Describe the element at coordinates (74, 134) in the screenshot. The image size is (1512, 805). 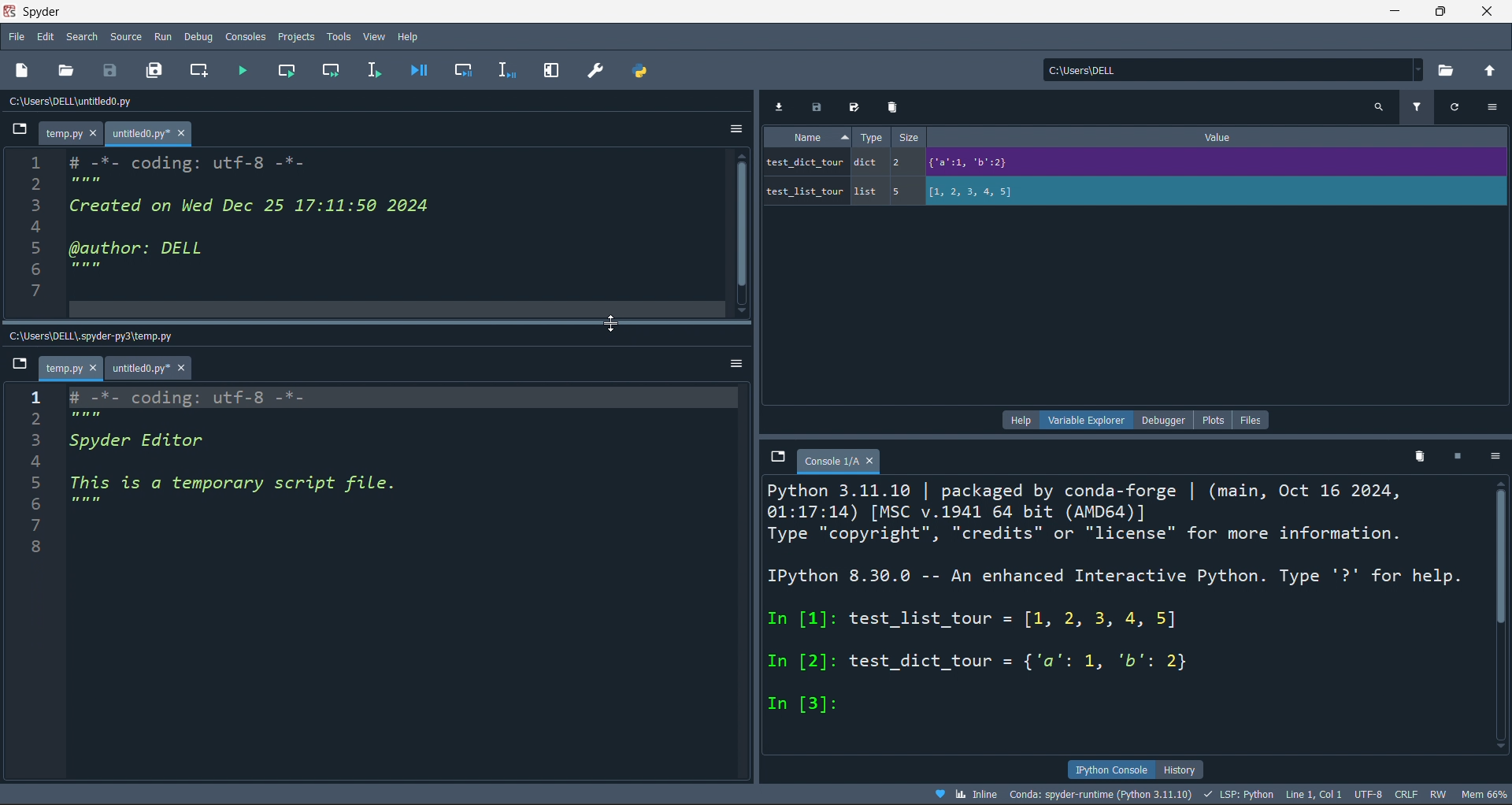
I see `temp.py` at that location.